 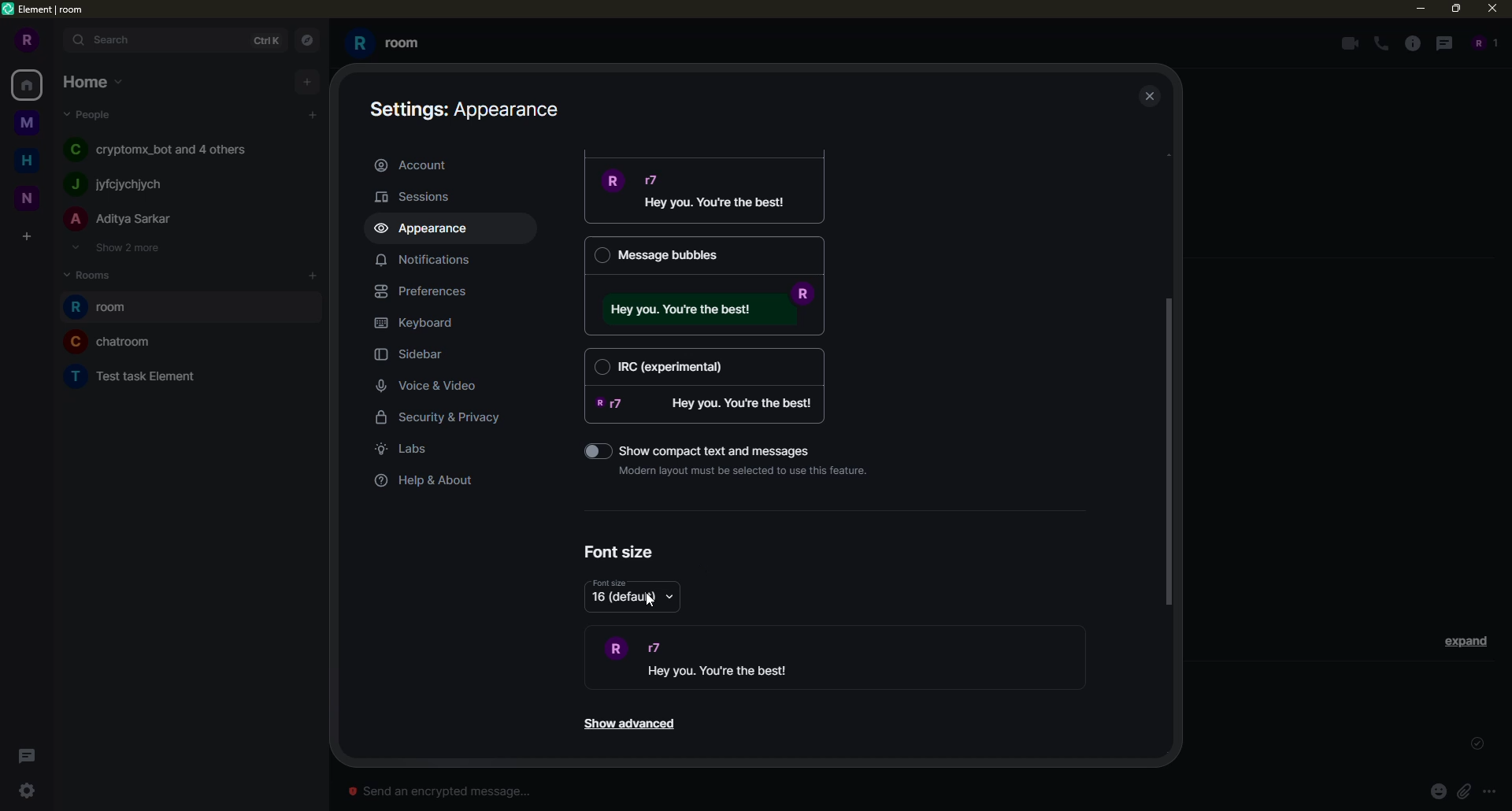 What do you see at coordinates (27, 791) in the screenshot?
I see `settings` at bounding box center [27, 791].